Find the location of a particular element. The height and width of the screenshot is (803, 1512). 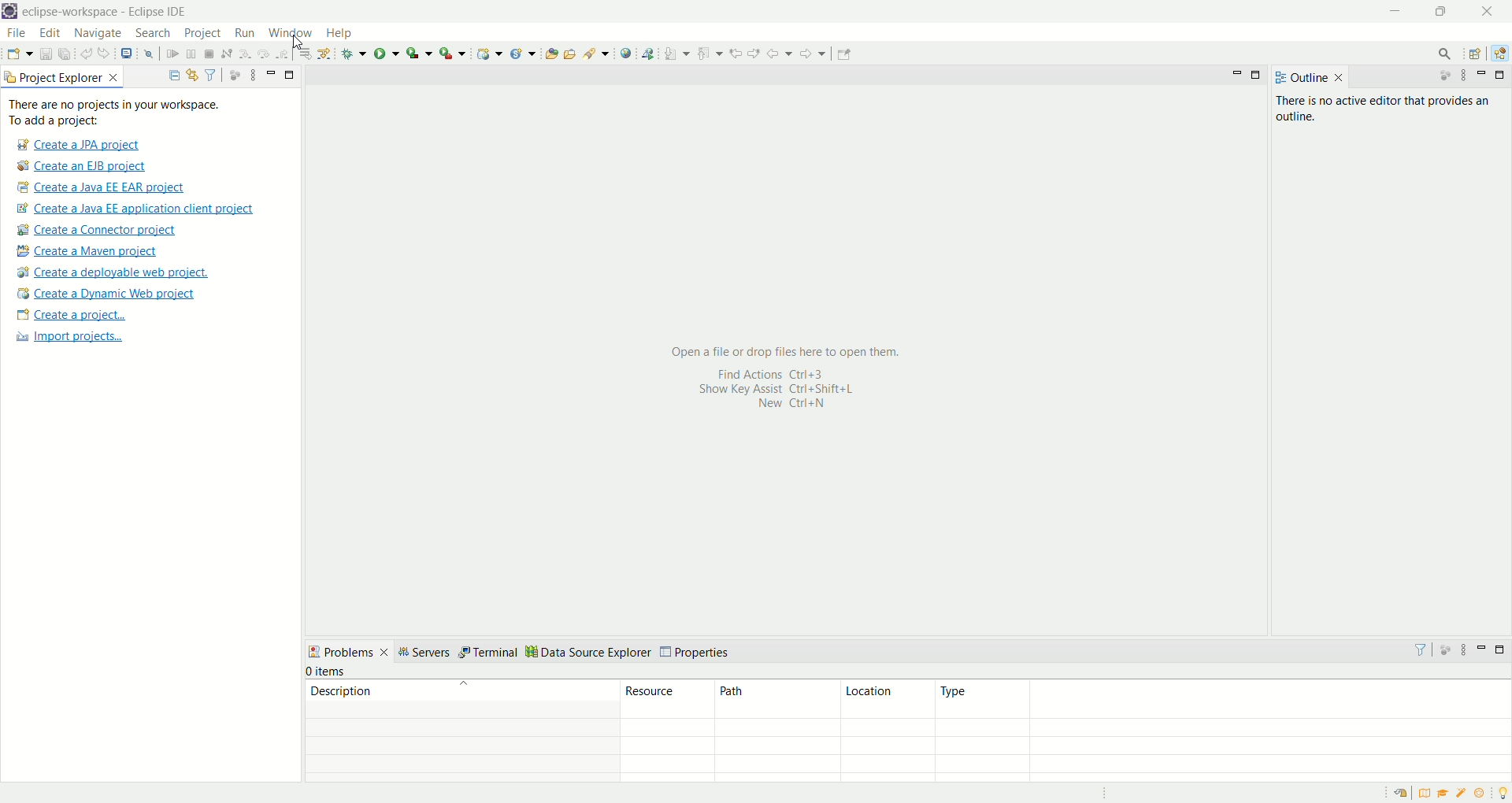

view menu is located at coordinates (251, 74).